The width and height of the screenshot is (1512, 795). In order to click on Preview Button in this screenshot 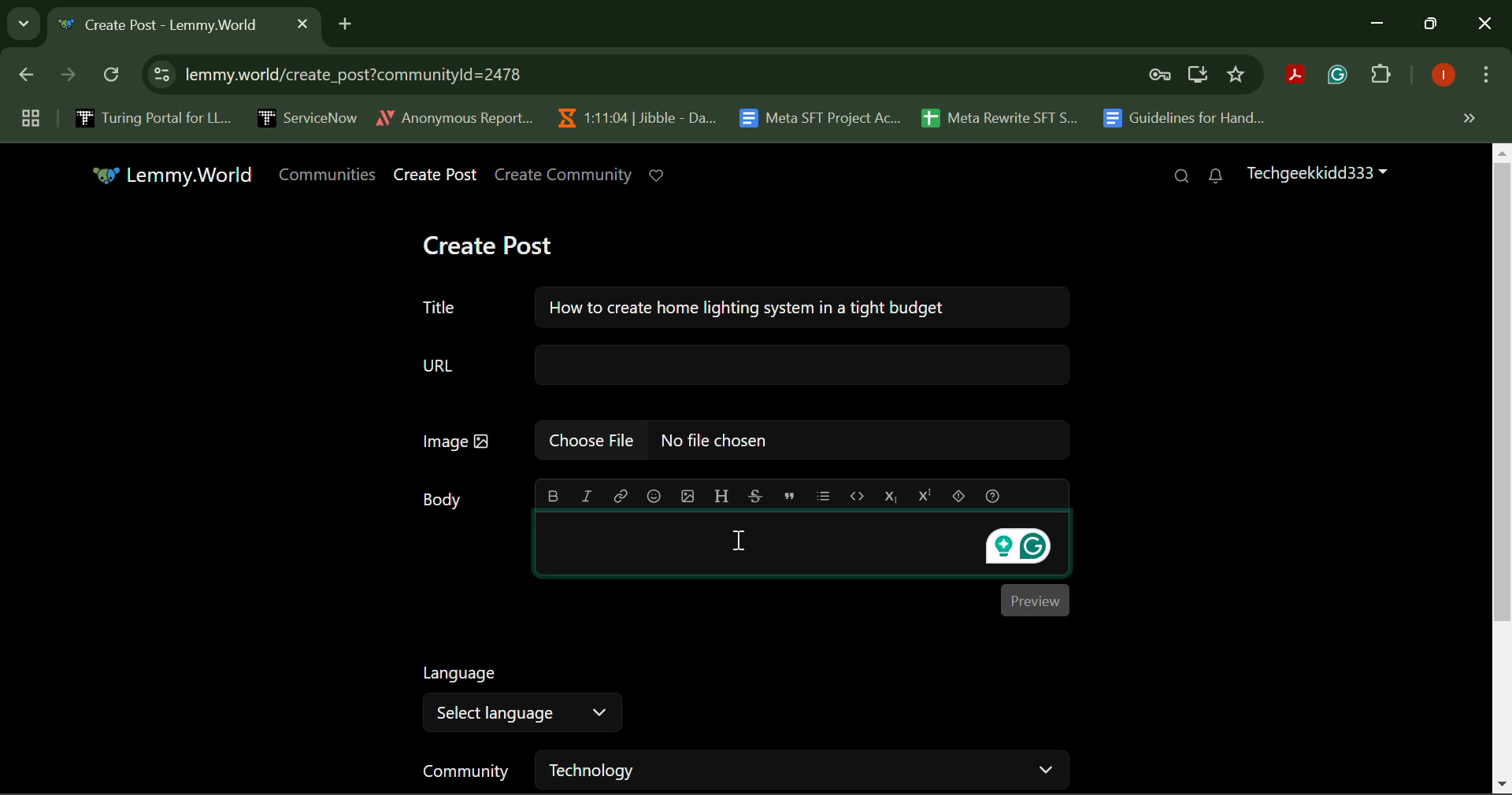, I will do `click(1035, 600)`.